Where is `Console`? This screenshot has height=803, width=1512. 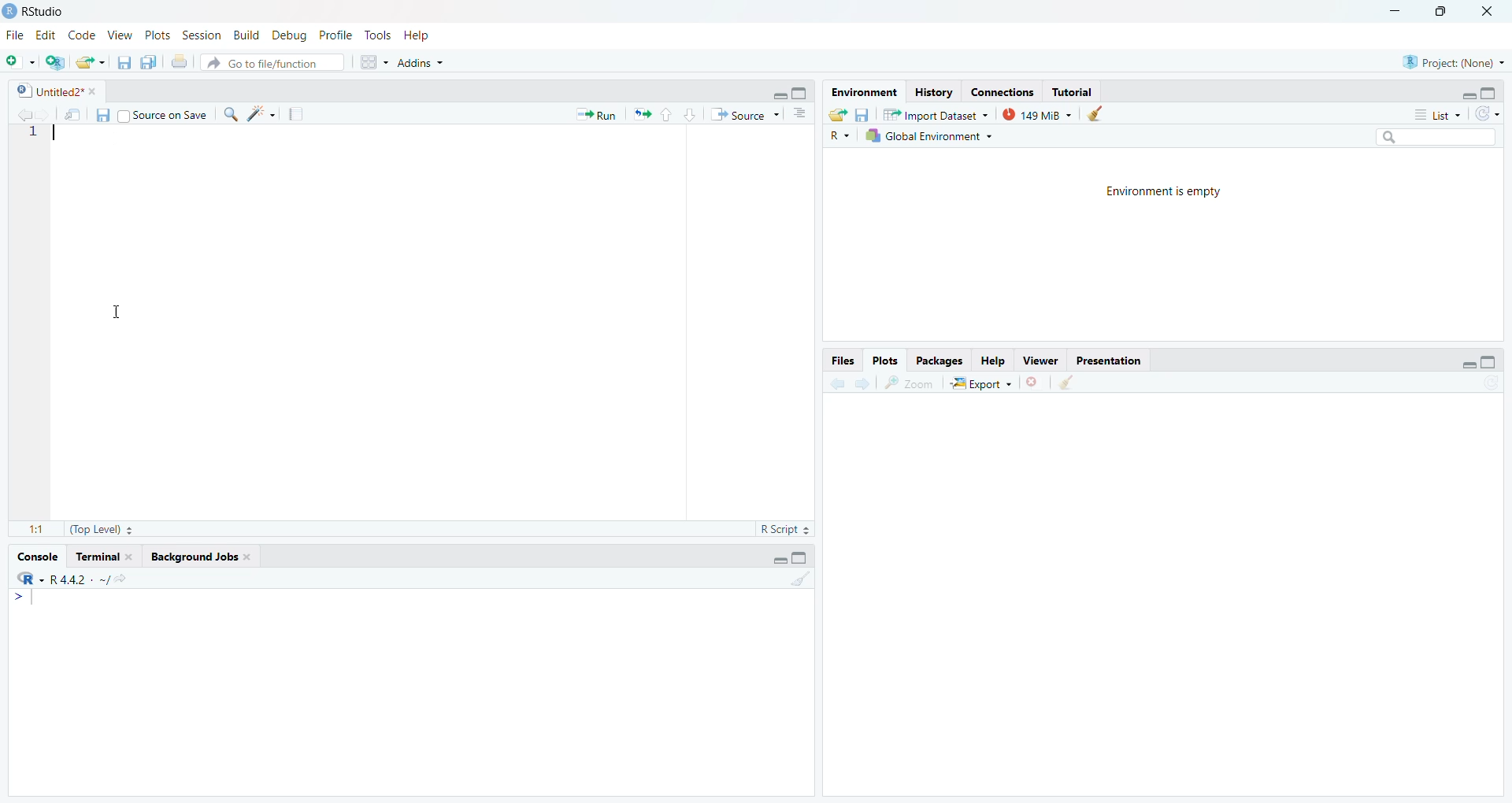
Console is located at coordinates (35, 557).